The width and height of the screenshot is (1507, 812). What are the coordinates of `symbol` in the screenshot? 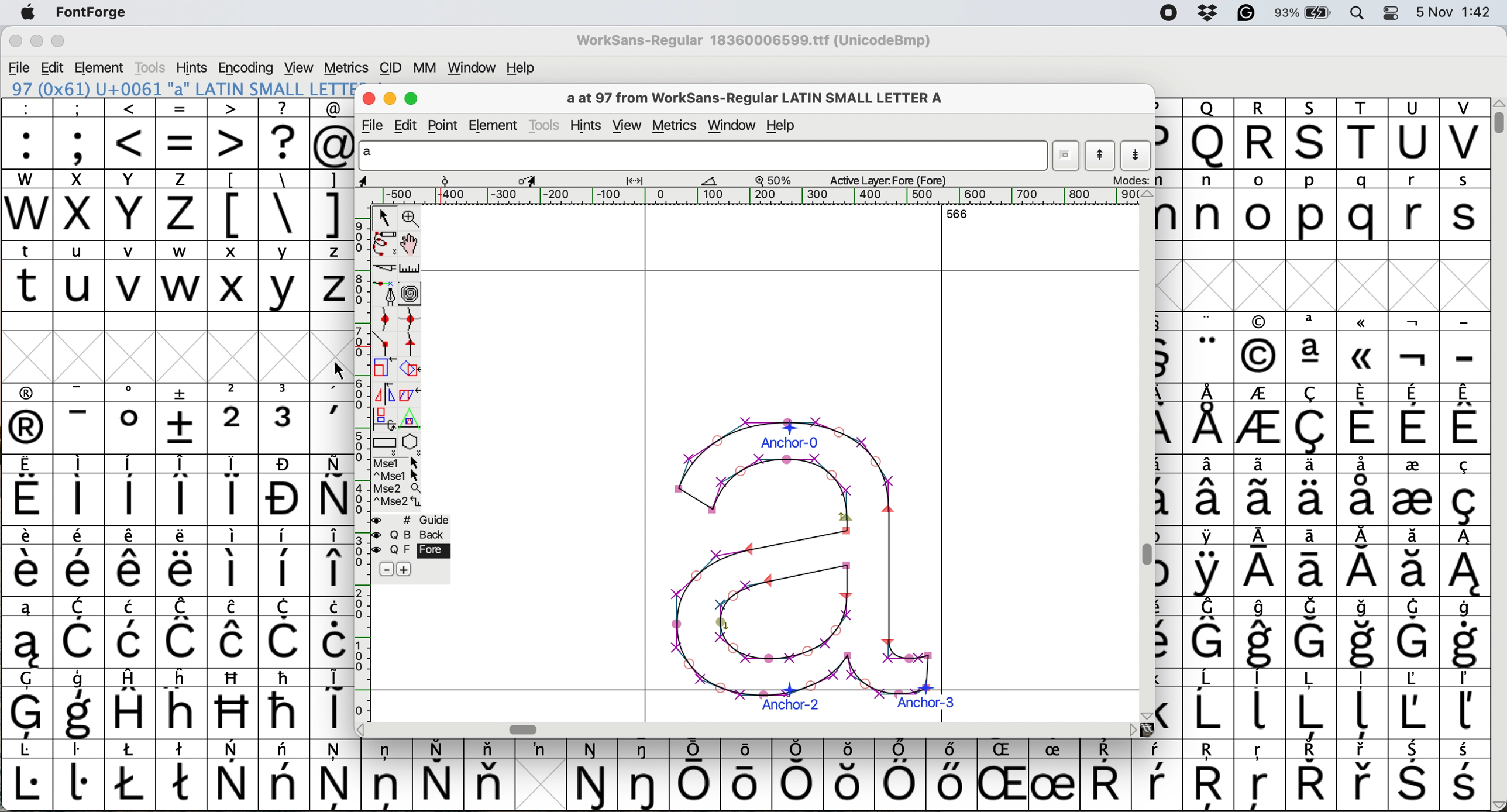 It's located at (183, 773).